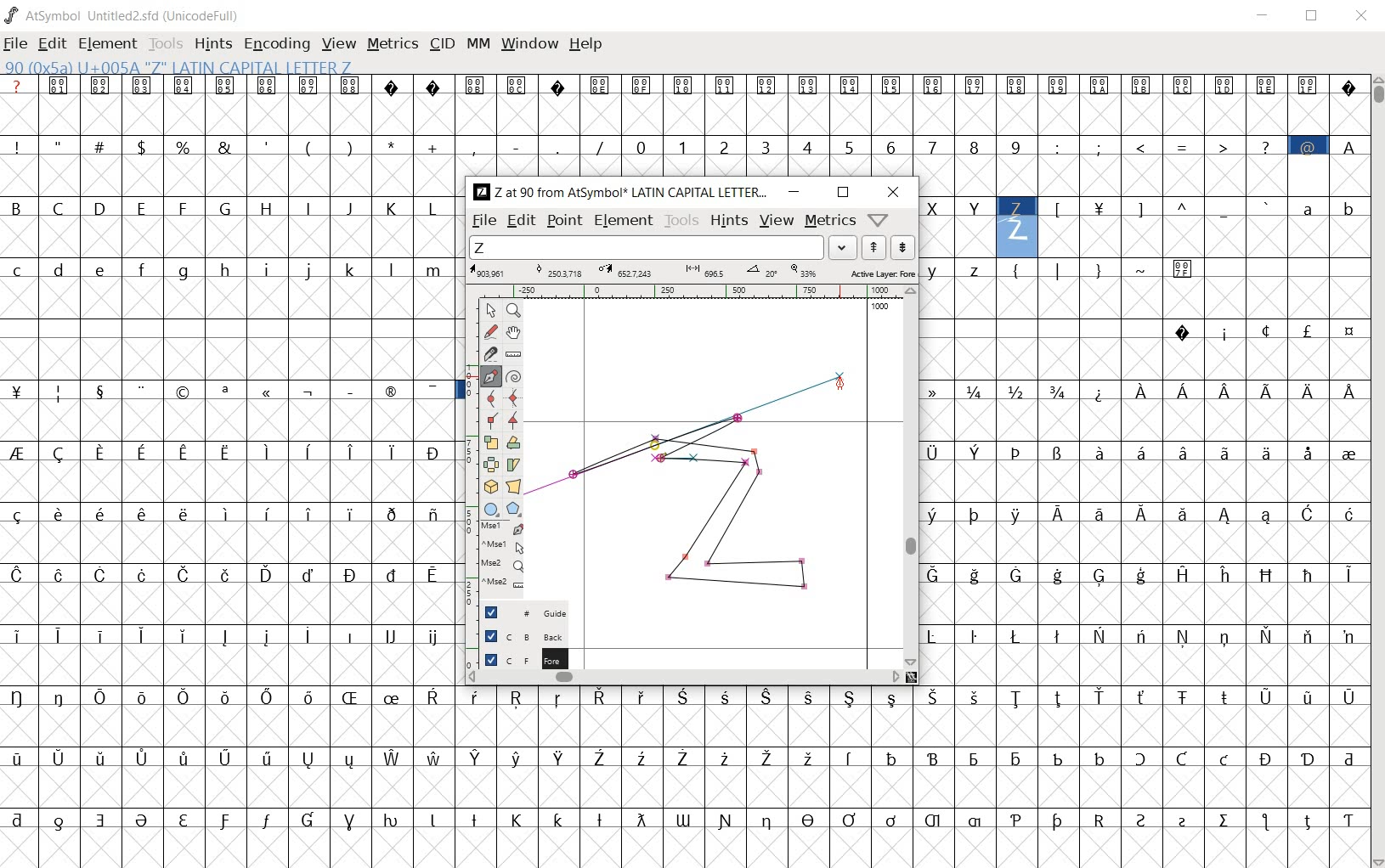 This screenshot has width=1385, height=868. What do you see at coordinates (485, 354) in the screenshot?
I see `cut splines in two` at bounding box center [485, 354].